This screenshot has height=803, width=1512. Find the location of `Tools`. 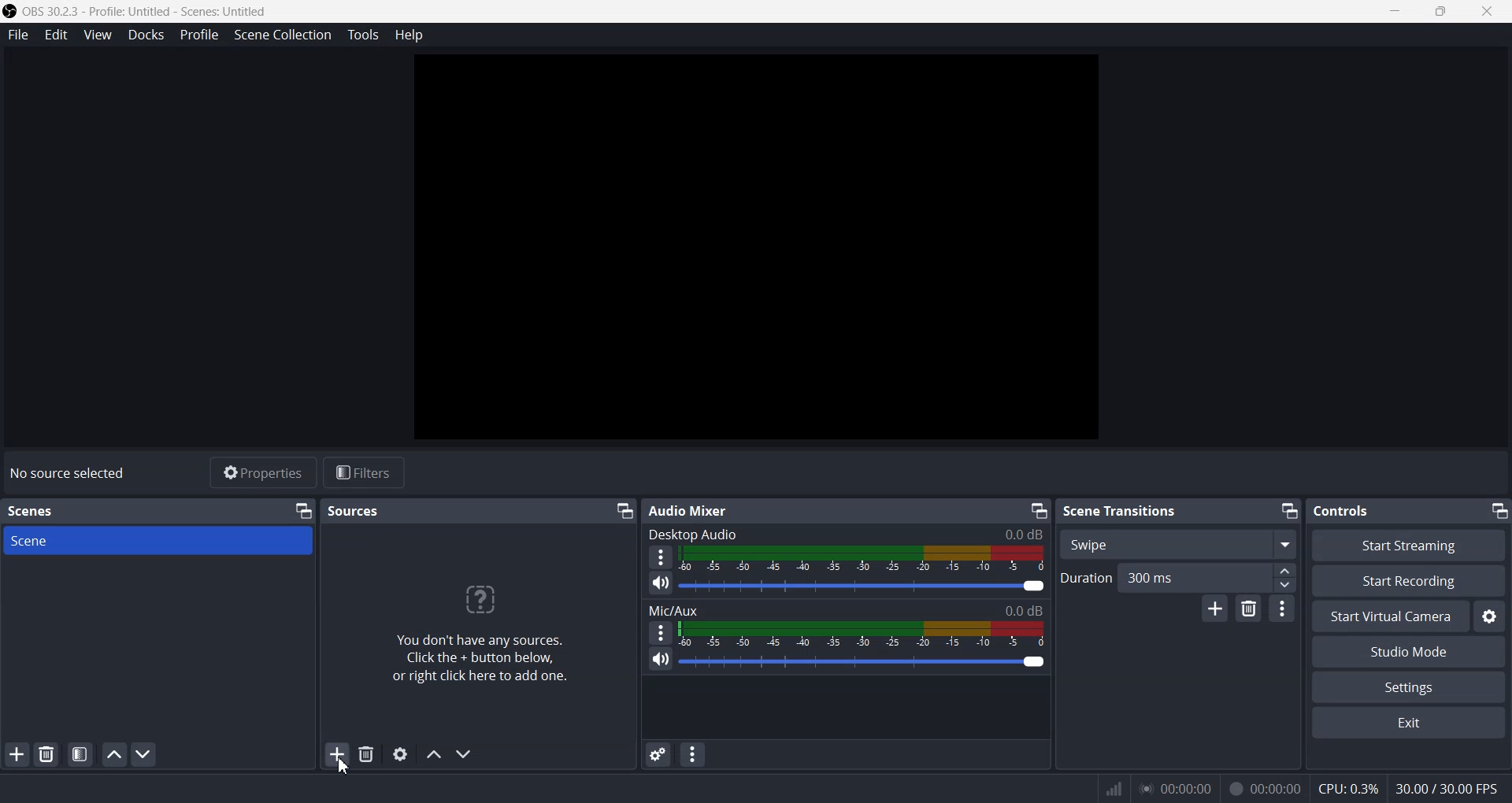

Tools is located at coordinates (362, 35).